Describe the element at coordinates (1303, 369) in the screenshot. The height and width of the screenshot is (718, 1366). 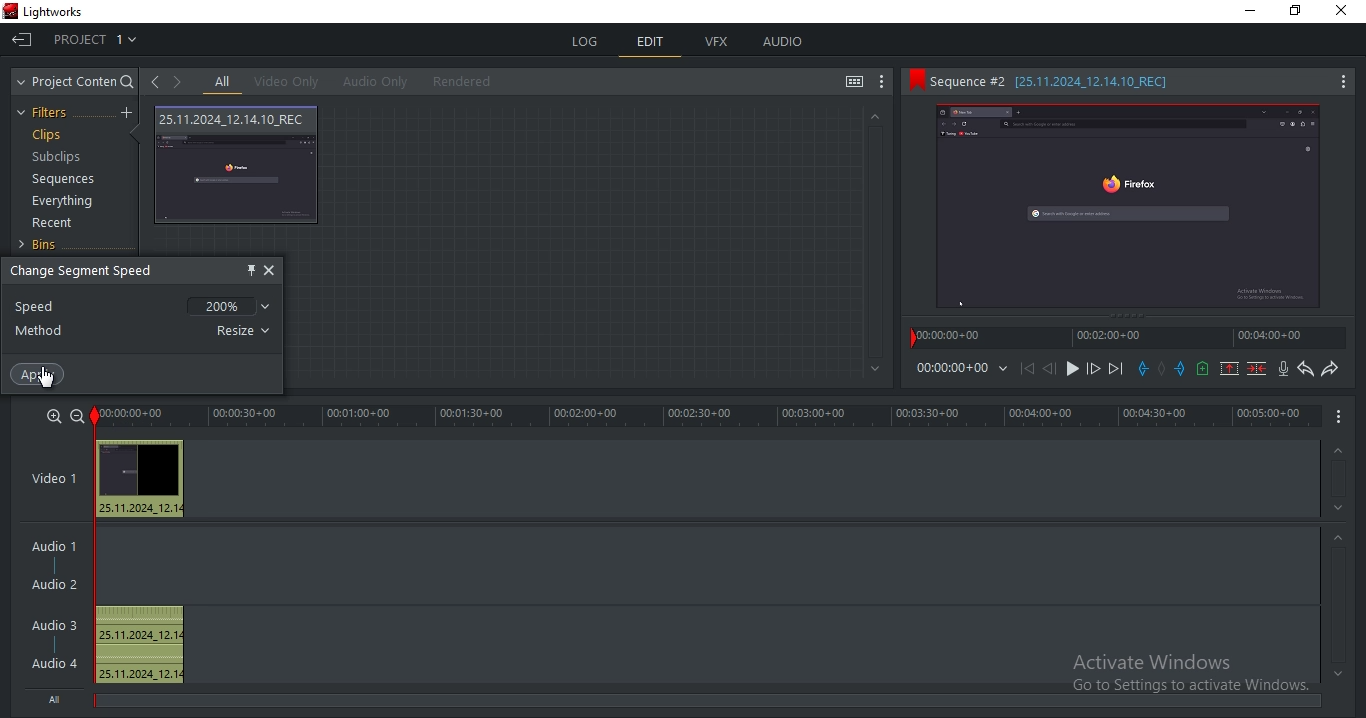
I see `undo` at that location.